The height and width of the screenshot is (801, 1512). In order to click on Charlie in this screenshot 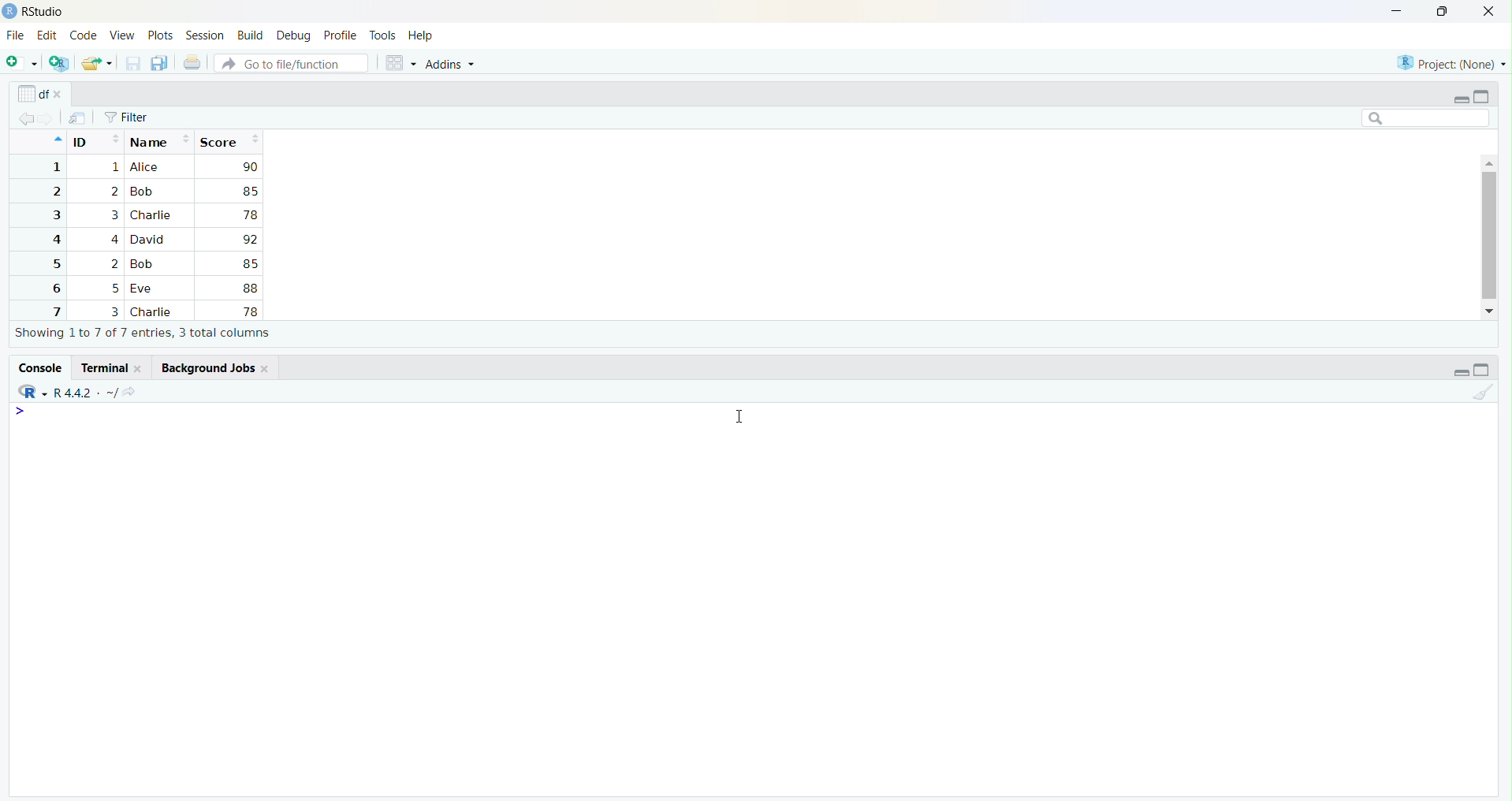, I will do `click(152, 215)`.